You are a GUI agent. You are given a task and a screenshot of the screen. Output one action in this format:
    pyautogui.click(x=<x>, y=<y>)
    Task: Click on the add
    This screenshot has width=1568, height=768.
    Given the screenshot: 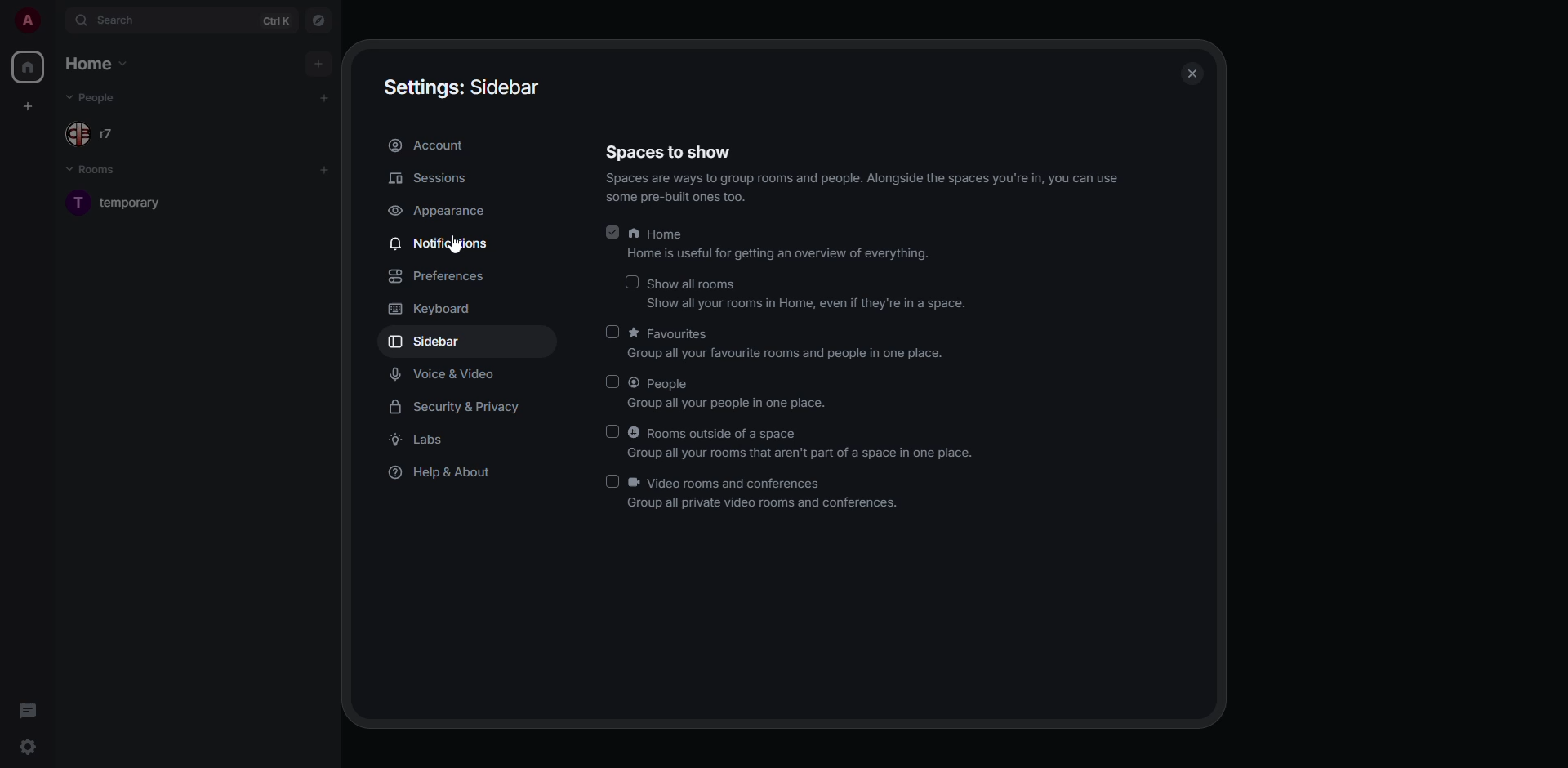 What is the action you would take?
    pyautogui.click(x=324, y=96)
    